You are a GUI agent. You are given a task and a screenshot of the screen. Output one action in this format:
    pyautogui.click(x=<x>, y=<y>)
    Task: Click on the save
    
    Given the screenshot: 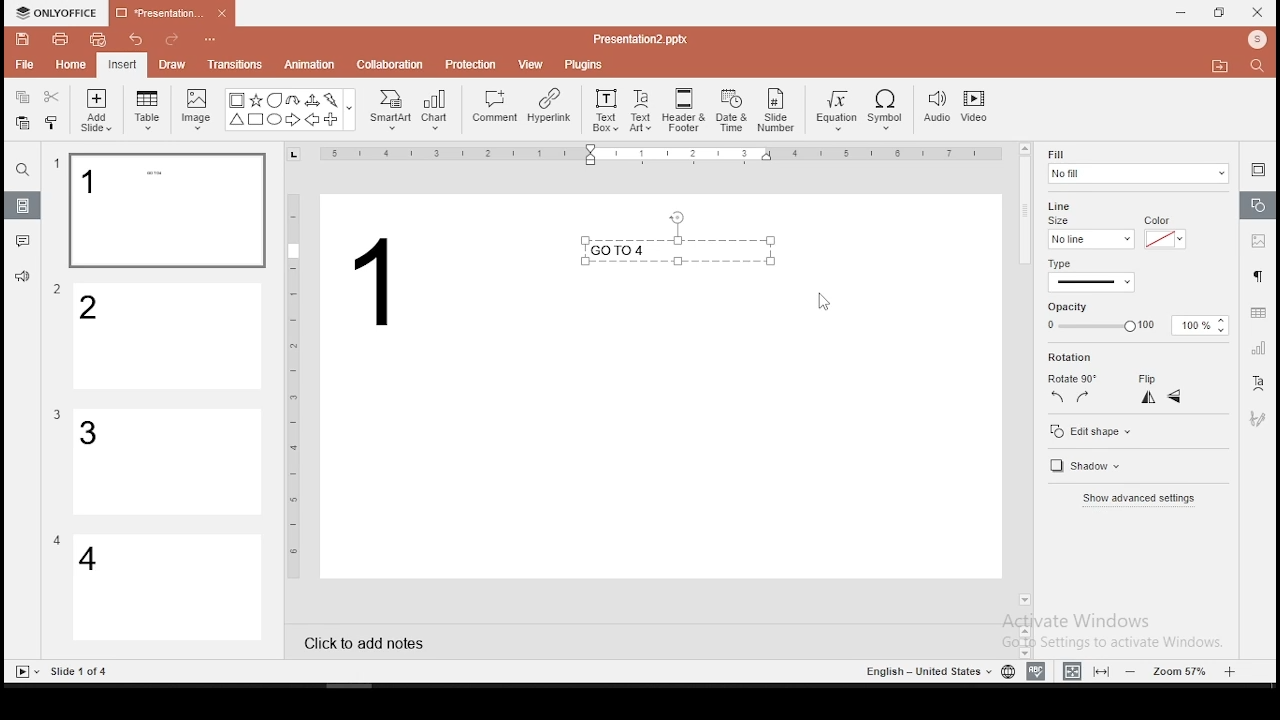 What is the action you would take?
    pyautogui.click(x=23, y=38)
    